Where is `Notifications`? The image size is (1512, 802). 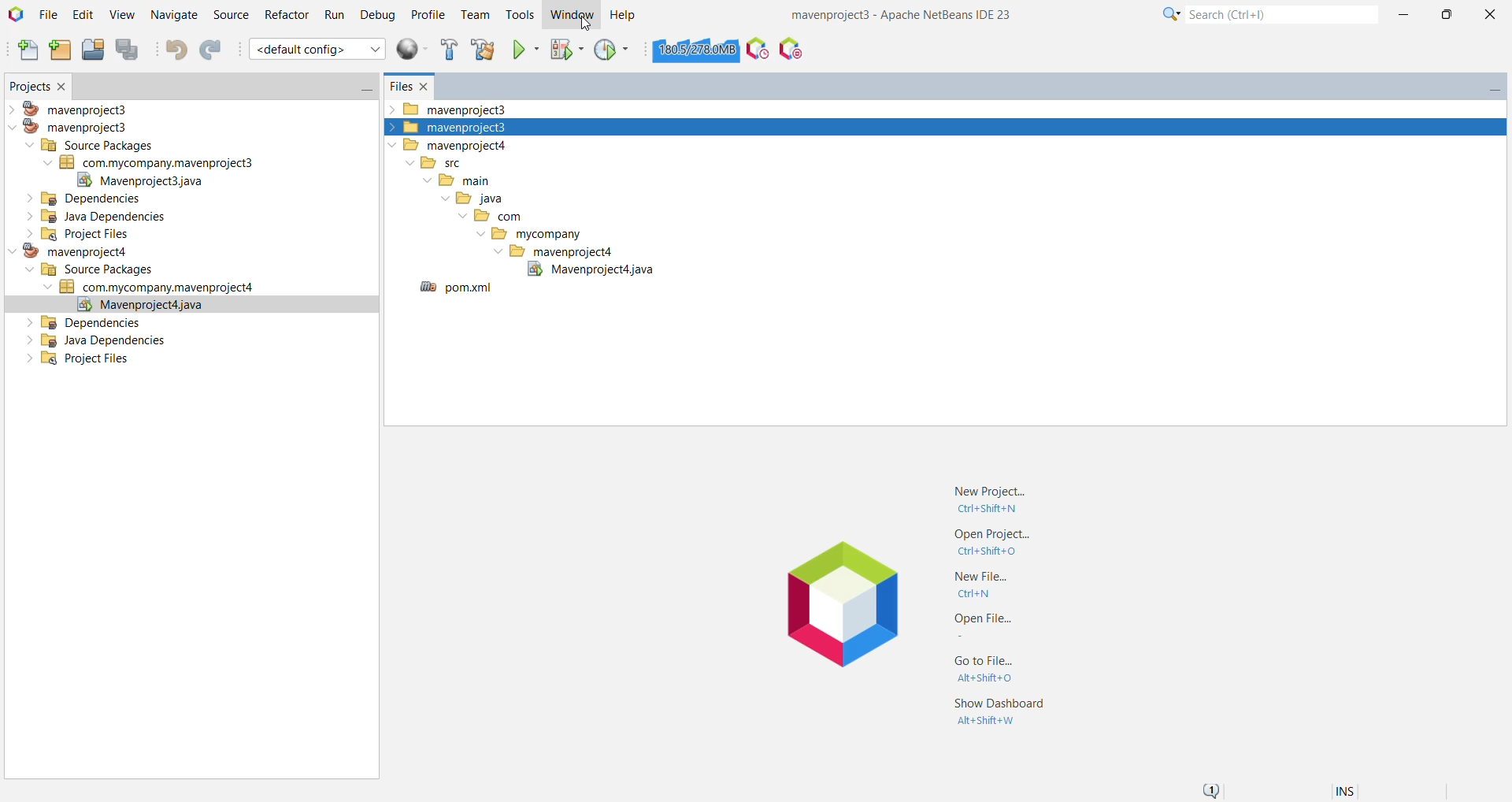
Notifications is located at coordinates (1214, 788).